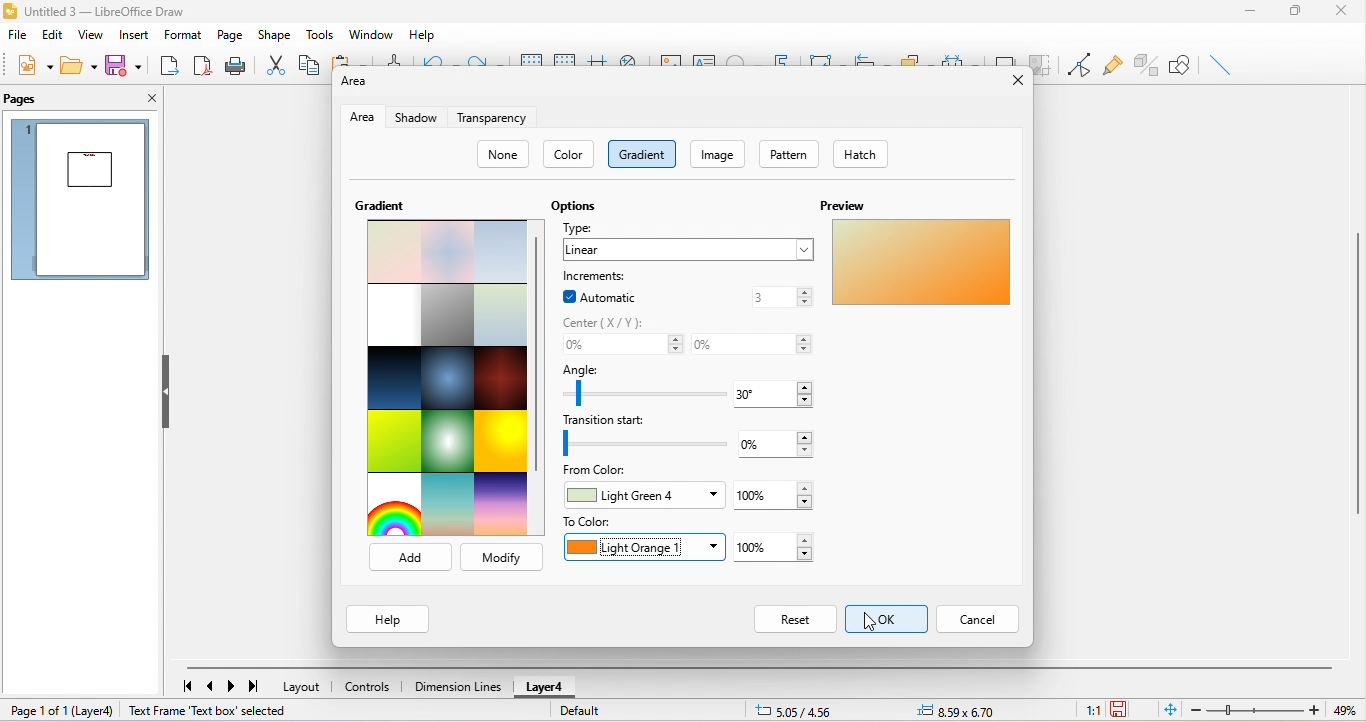  Describe the element at coordinates (794, 712) in the screenshot. I see `cursor position-5.05/4.56` at that location.